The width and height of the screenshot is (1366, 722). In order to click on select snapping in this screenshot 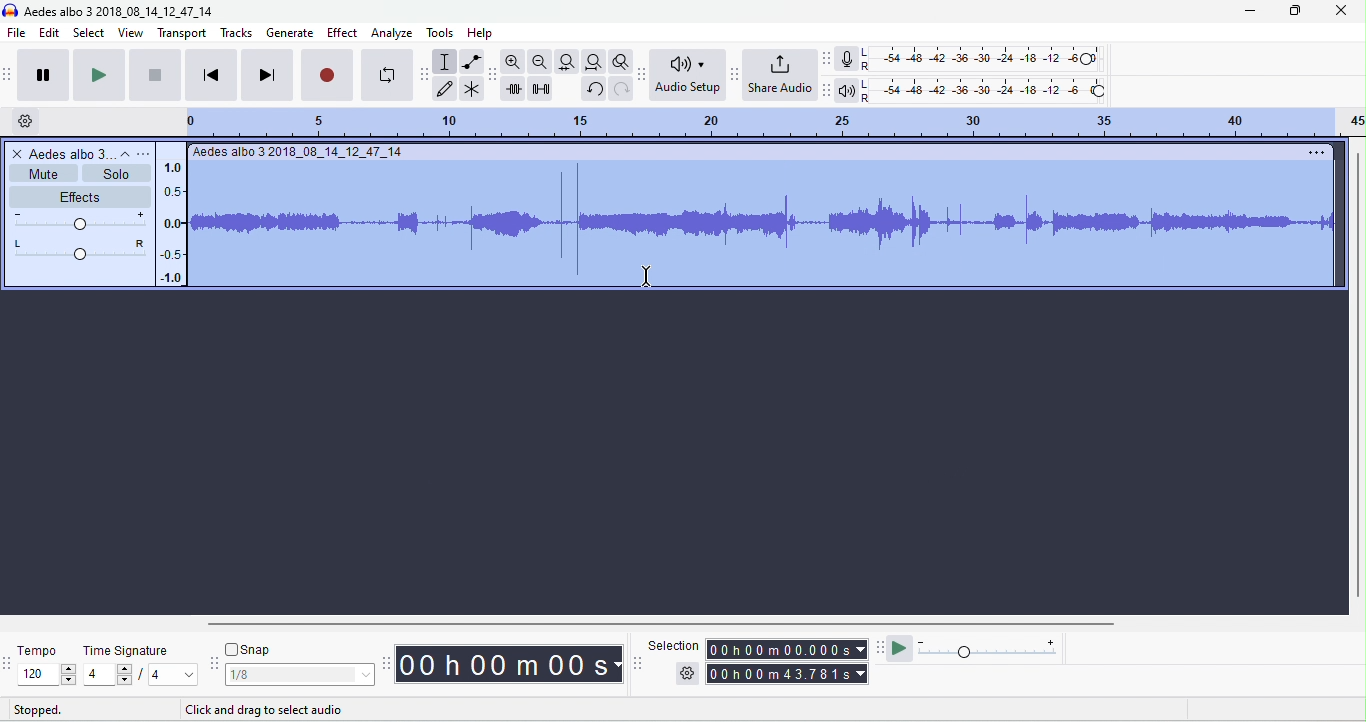, I will do `click(299, 673)`.